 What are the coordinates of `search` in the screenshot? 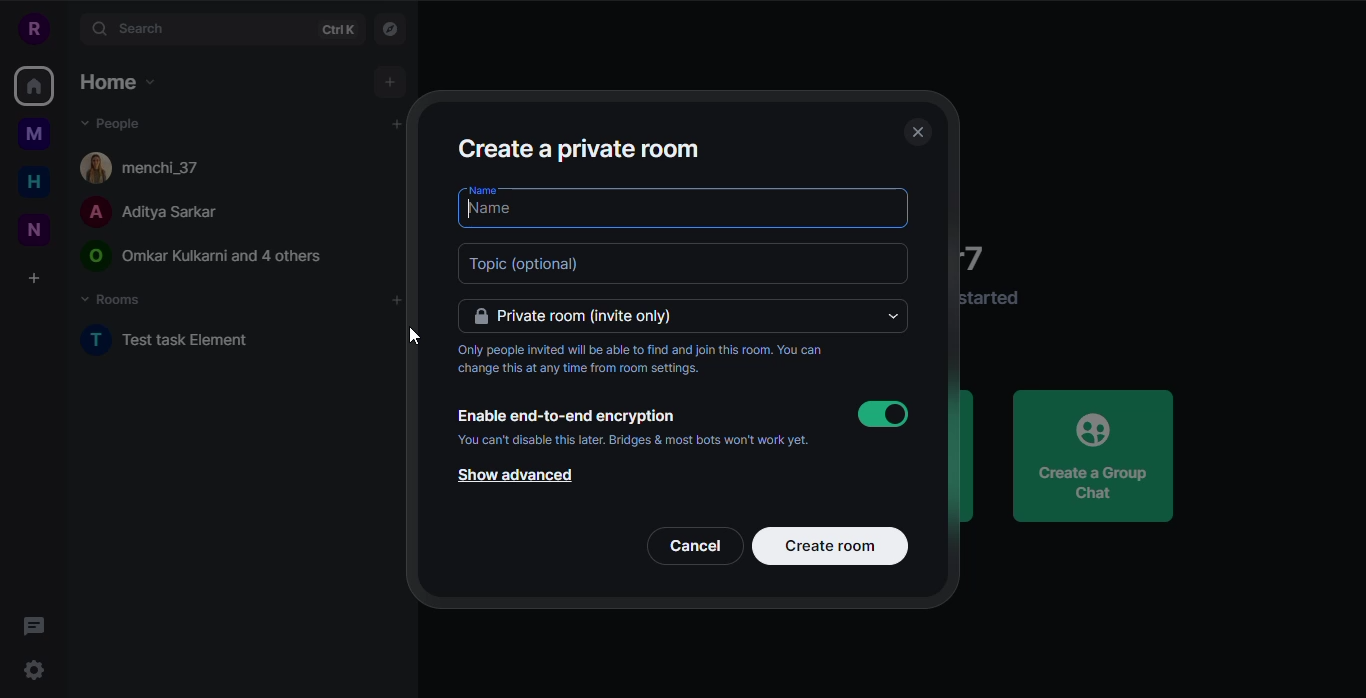 It's located at (132, 28).